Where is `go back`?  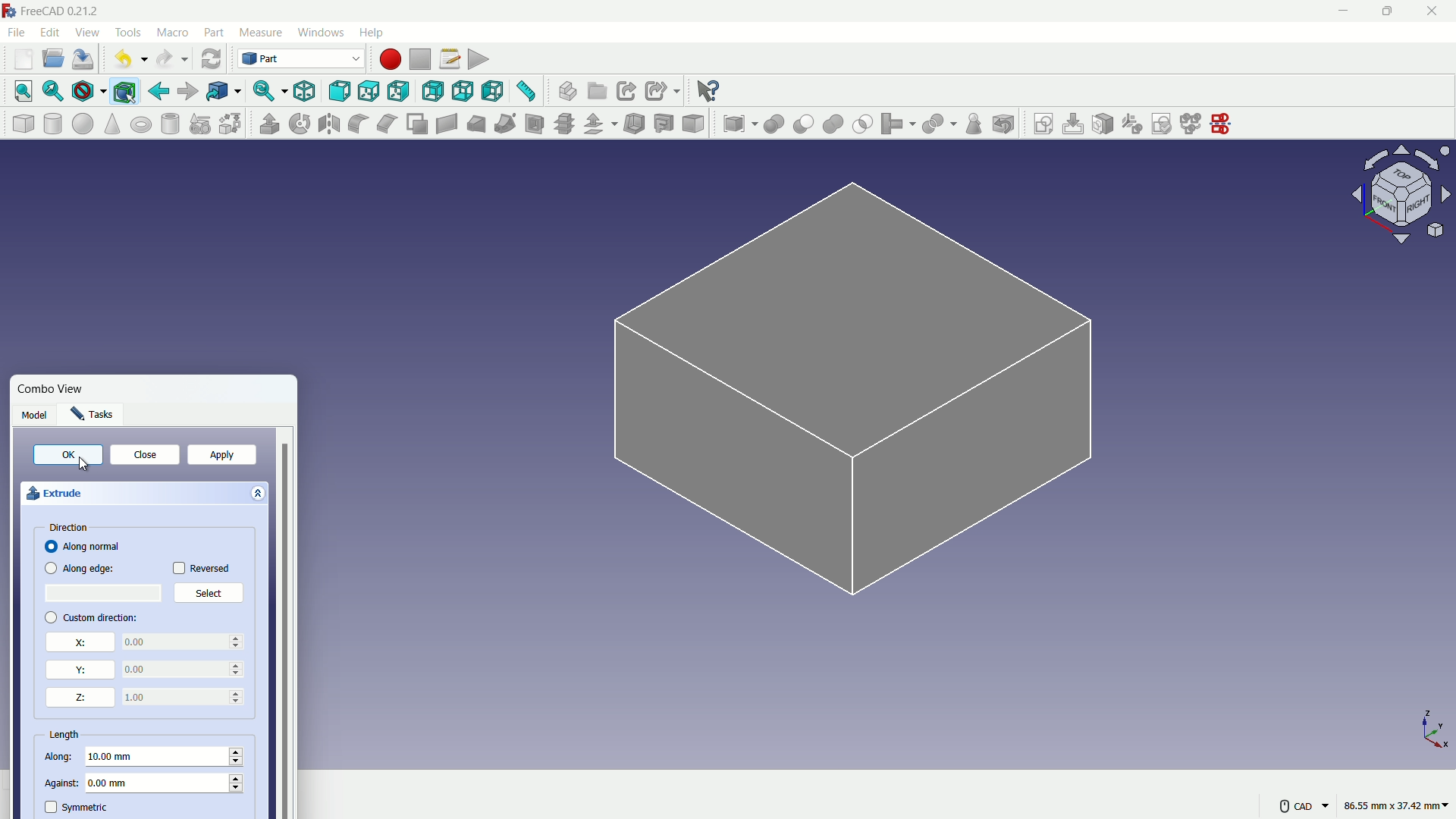
go back is located at coordinates (159, 92).